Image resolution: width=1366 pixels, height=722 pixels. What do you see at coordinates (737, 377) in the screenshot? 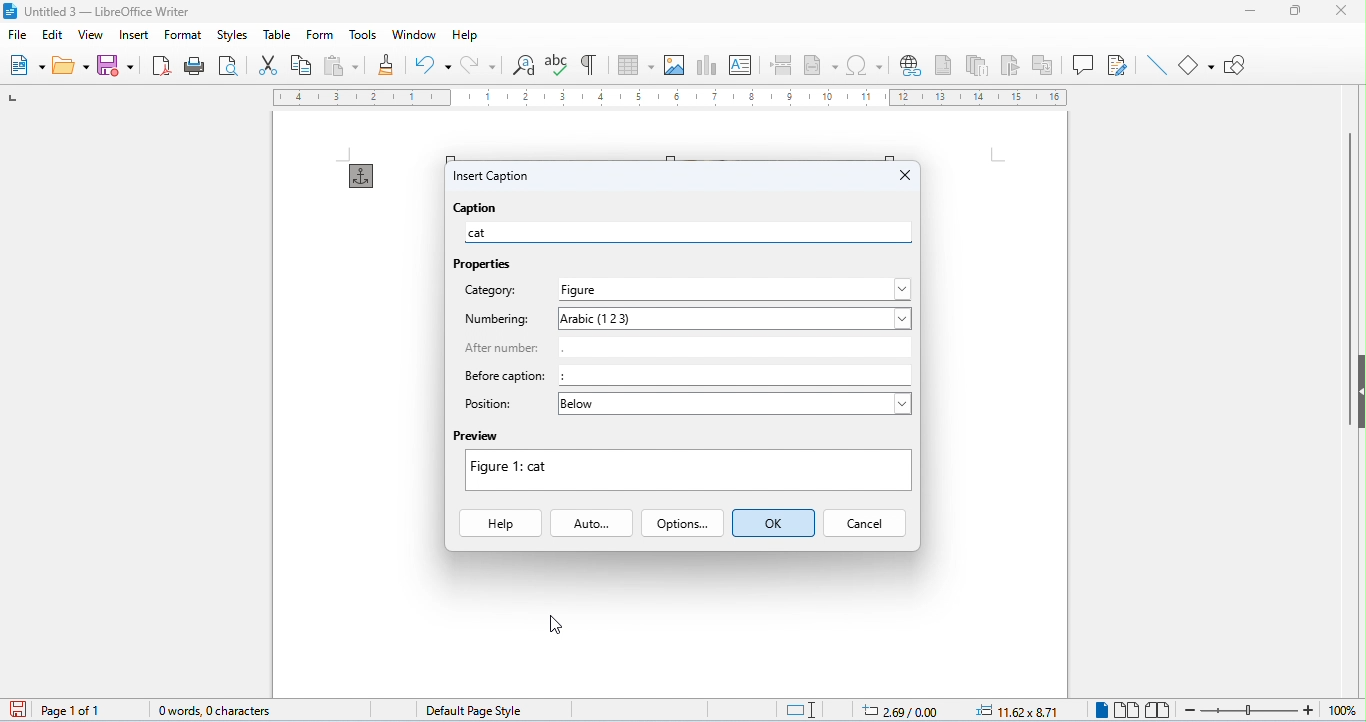
I see `:` at bounding box center [737, 377].